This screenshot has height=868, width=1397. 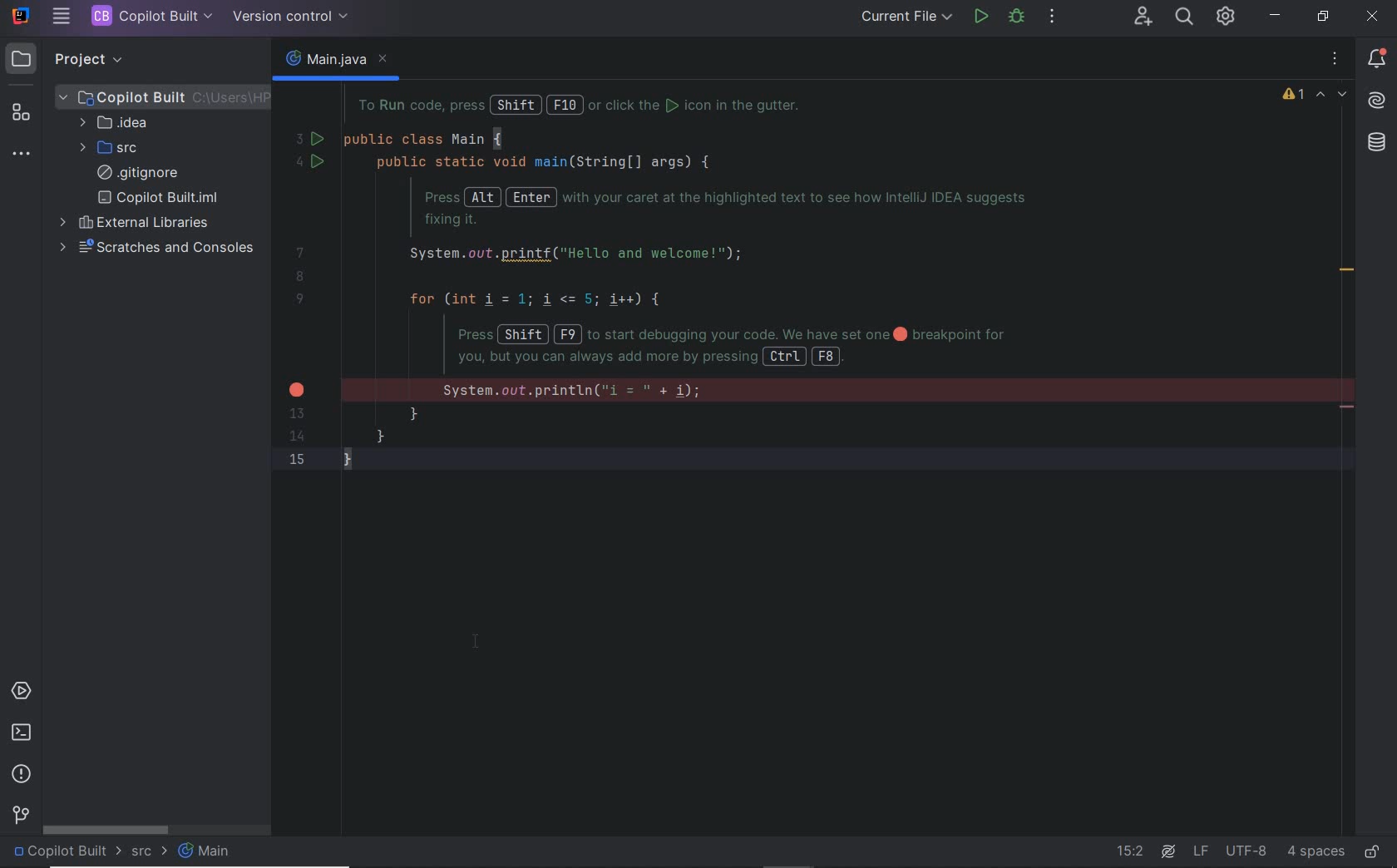 What do you see at coordinates (67, 852) in the screenshot?
I see `project name` at bounding box center [67, 852].